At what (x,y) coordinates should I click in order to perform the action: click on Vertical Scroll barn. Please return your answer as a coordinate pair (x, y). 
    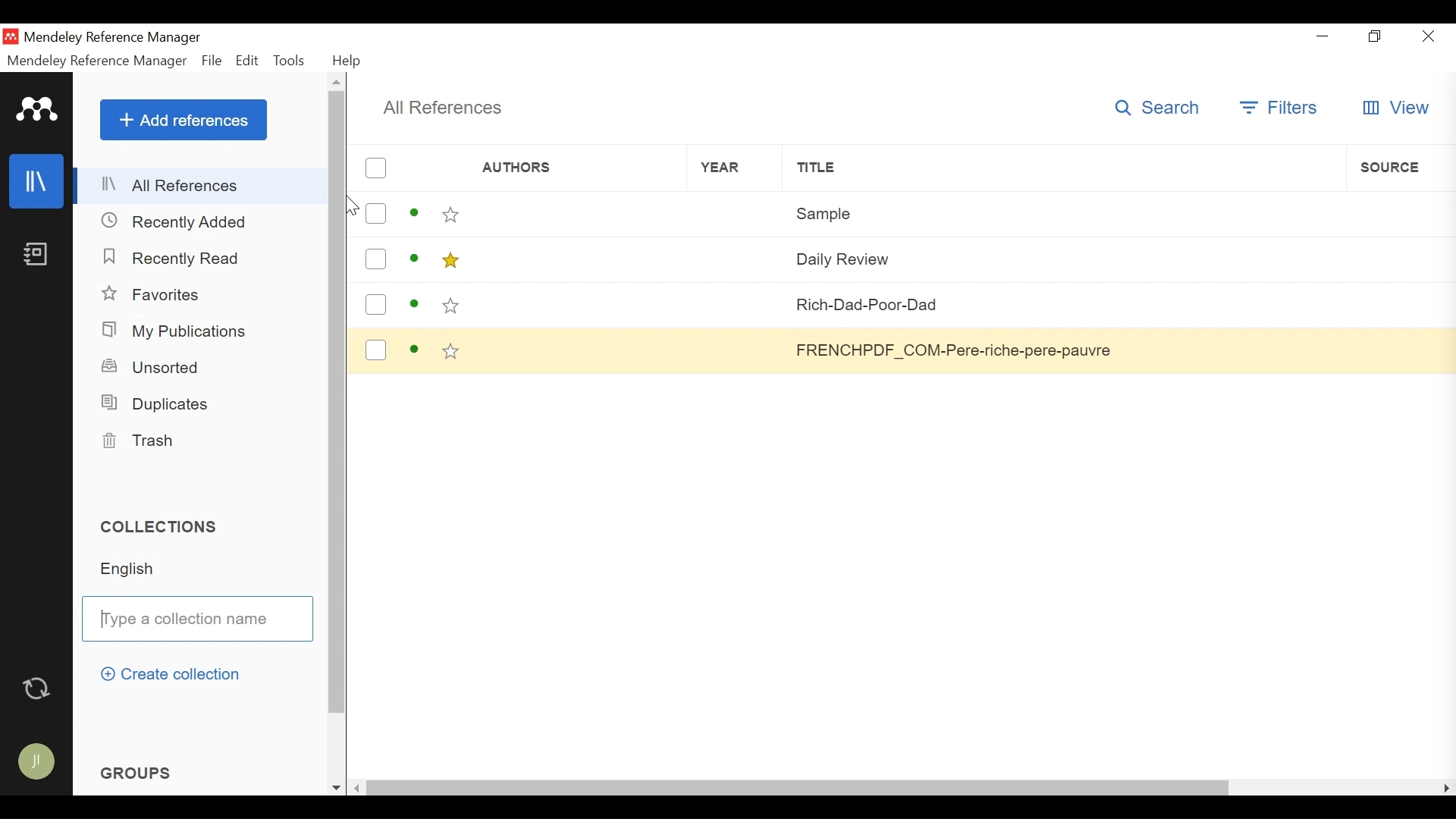
    Looking at the image, I should click on (336, 416).